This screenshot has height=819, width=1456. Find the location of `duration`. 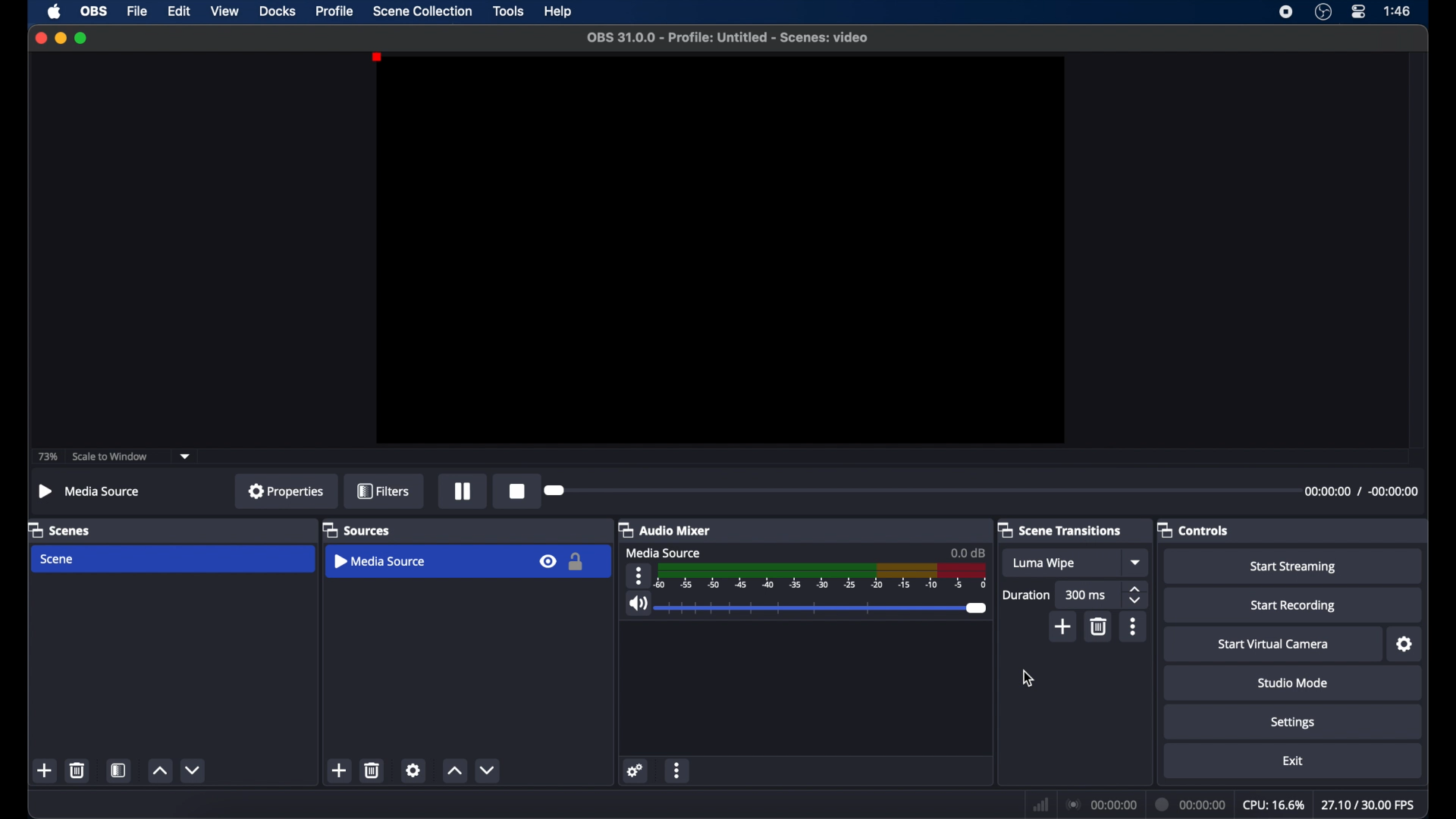

duration is located at coordinates (1192, 805).